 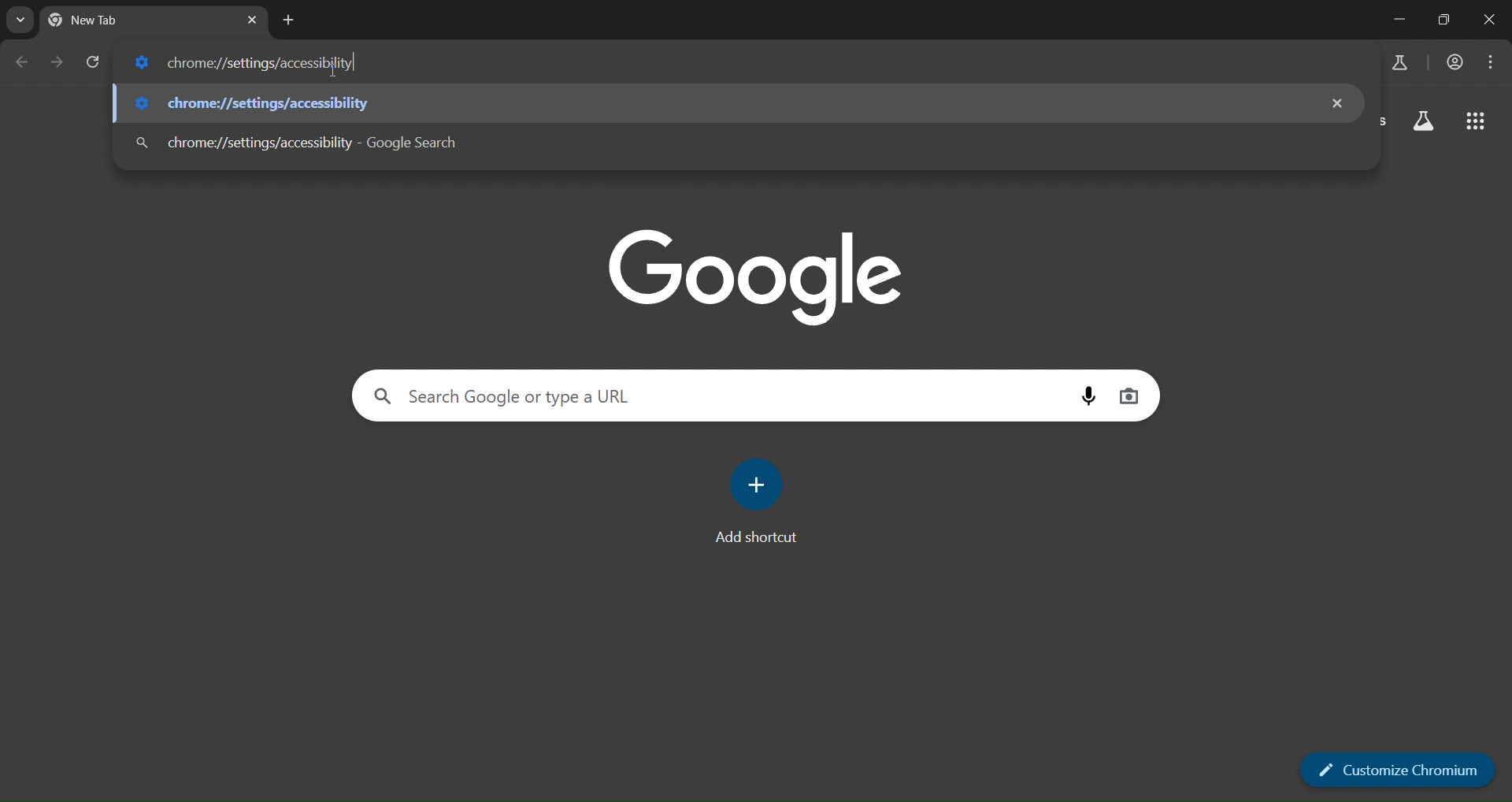 What do you see at coordinates (1088, 395) in the screenshot?
I see `voice search` at bounding box center [1088, 395].